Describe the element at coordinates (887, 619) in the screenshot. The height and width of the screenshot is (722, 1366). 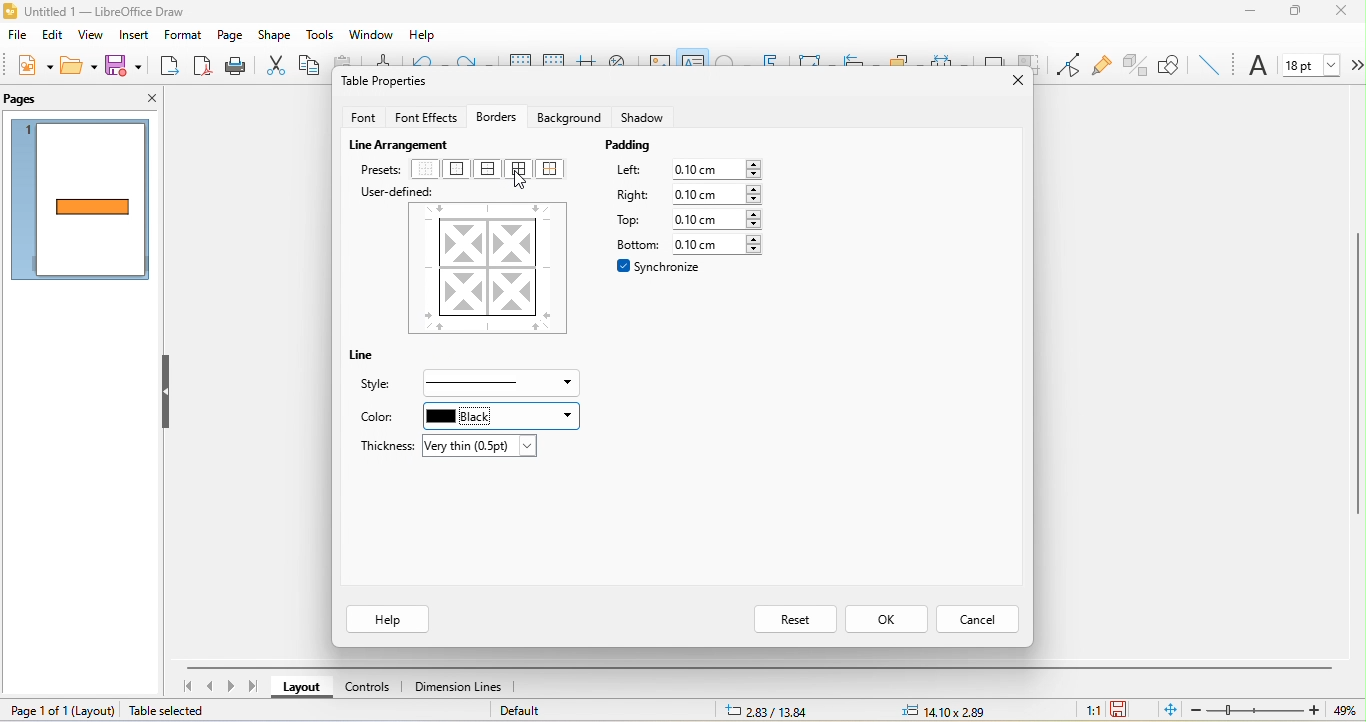
I see `ok` at that location.